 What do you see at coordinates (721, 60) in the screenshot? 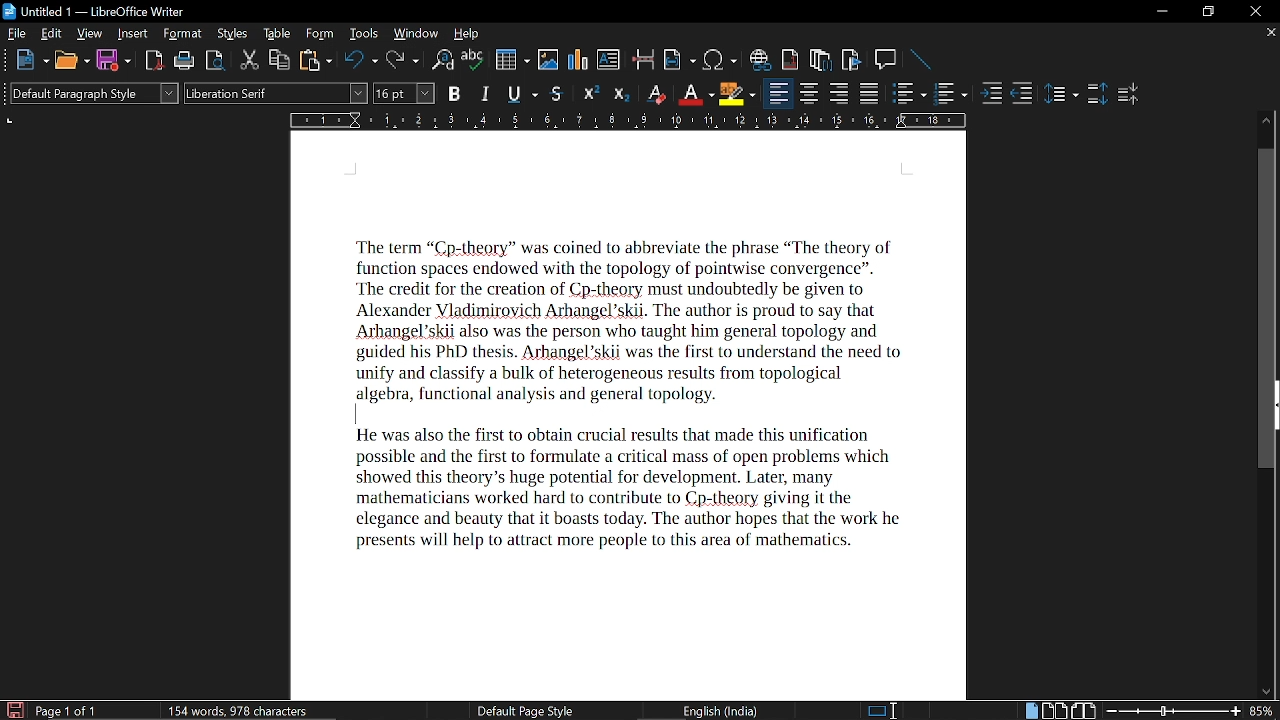
I see `Insert symbols` at bounding box center [721, 60].